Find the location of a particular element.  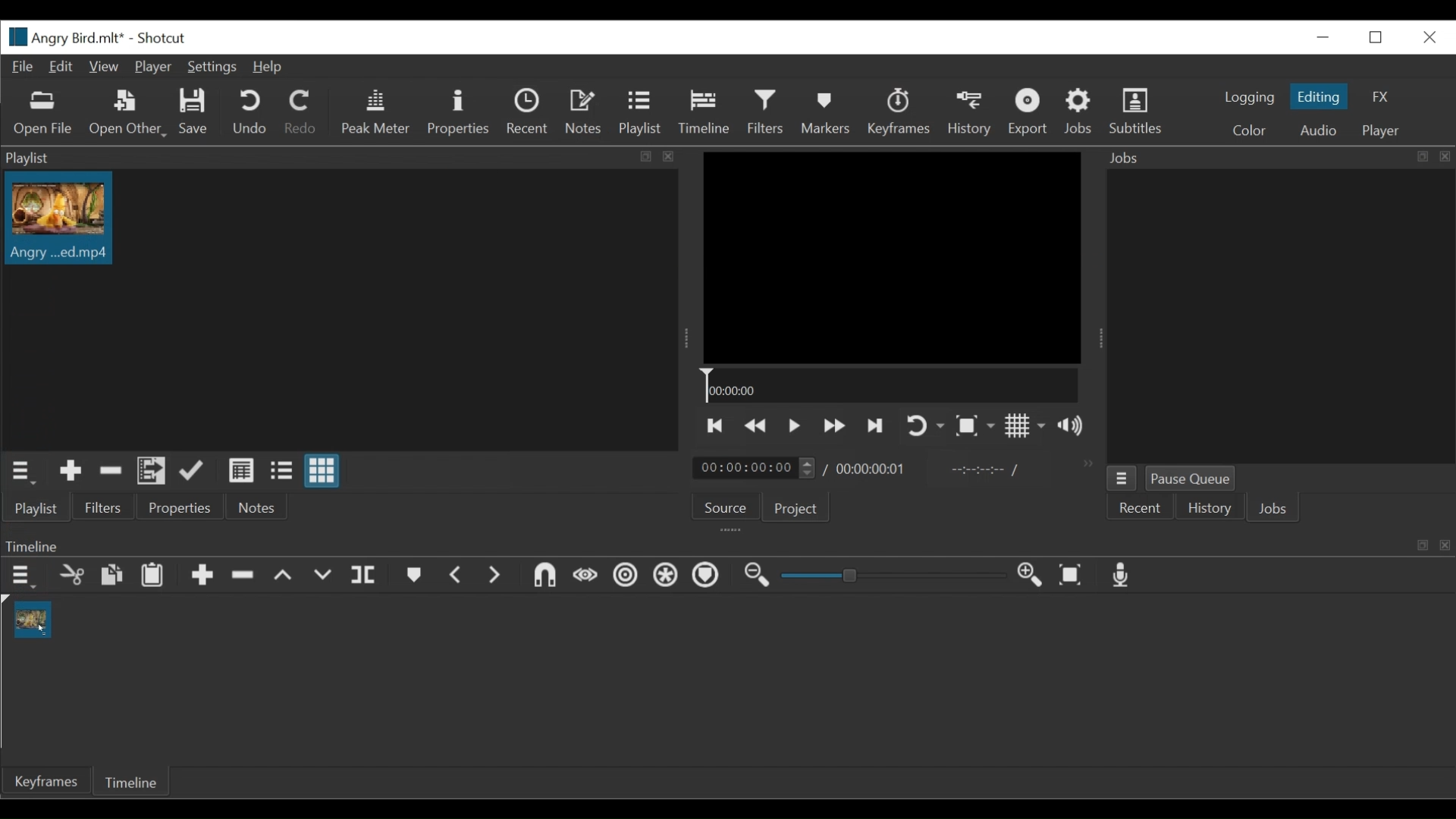

Update is located at coordinates (192, 471).